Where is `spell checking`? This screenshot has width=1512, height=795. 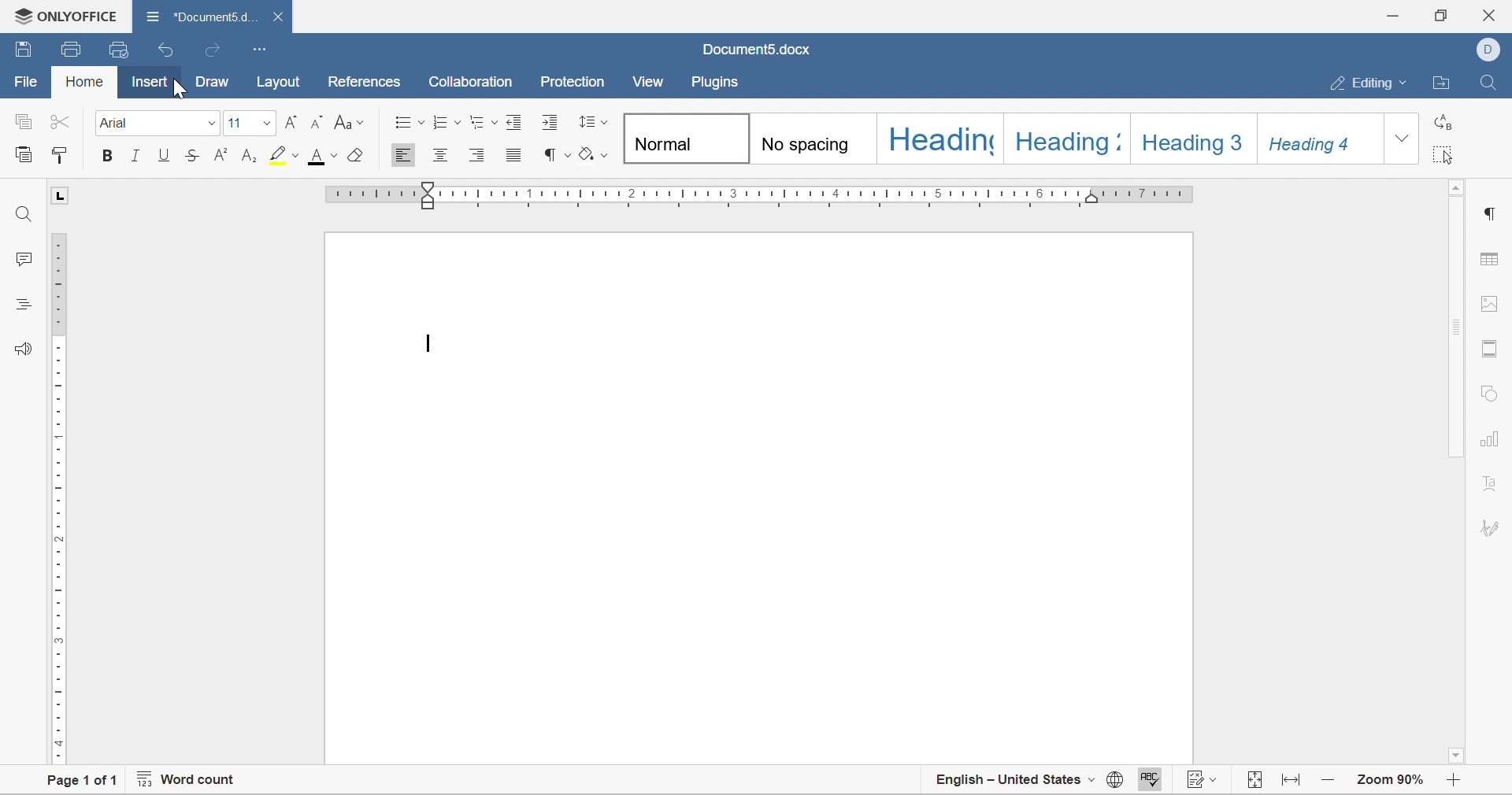
spell checking is located at coordinates (1148, 780).